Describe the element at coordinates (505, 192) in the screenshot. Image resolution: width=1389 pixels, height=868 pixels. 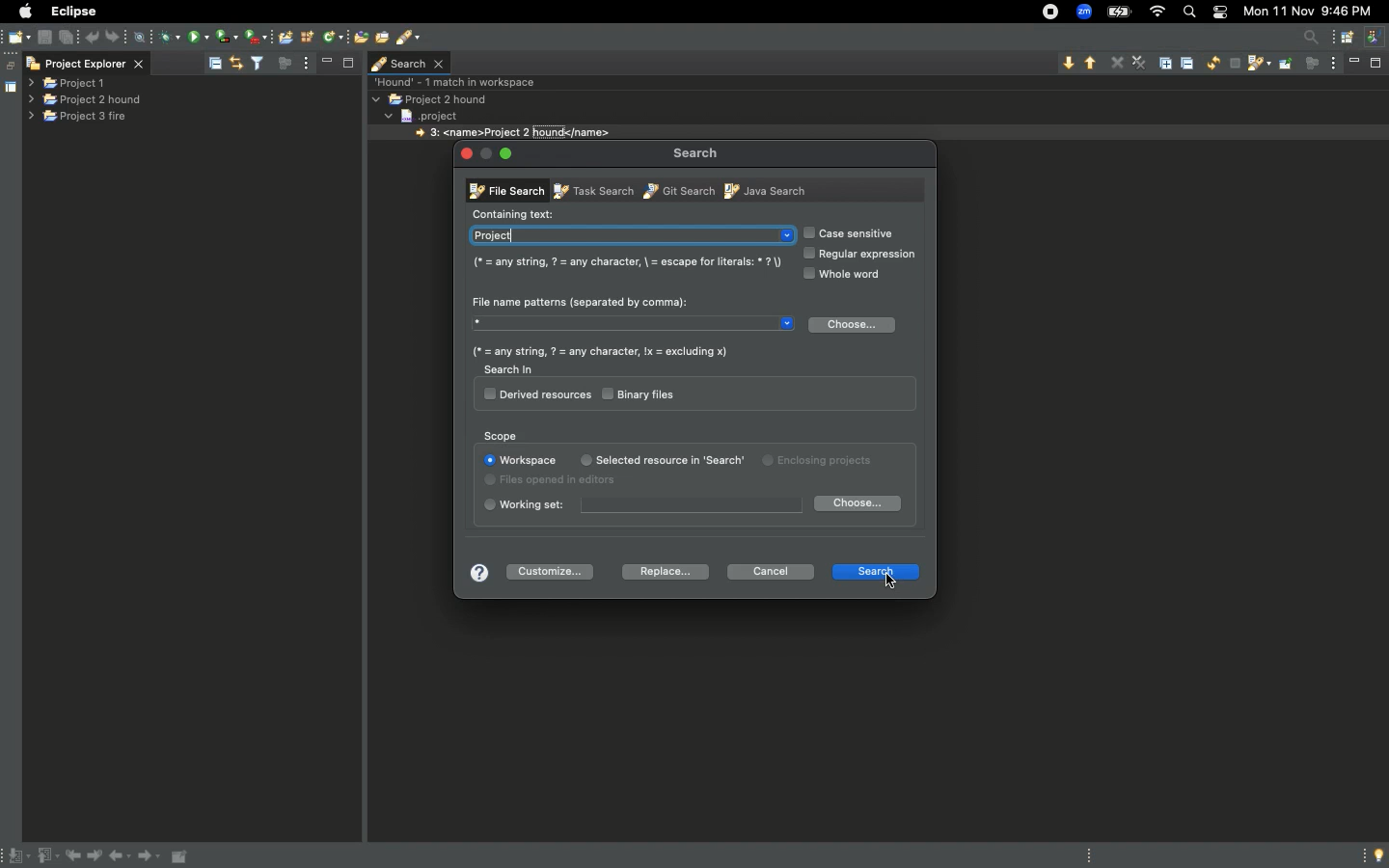
I see `File search` at that location.